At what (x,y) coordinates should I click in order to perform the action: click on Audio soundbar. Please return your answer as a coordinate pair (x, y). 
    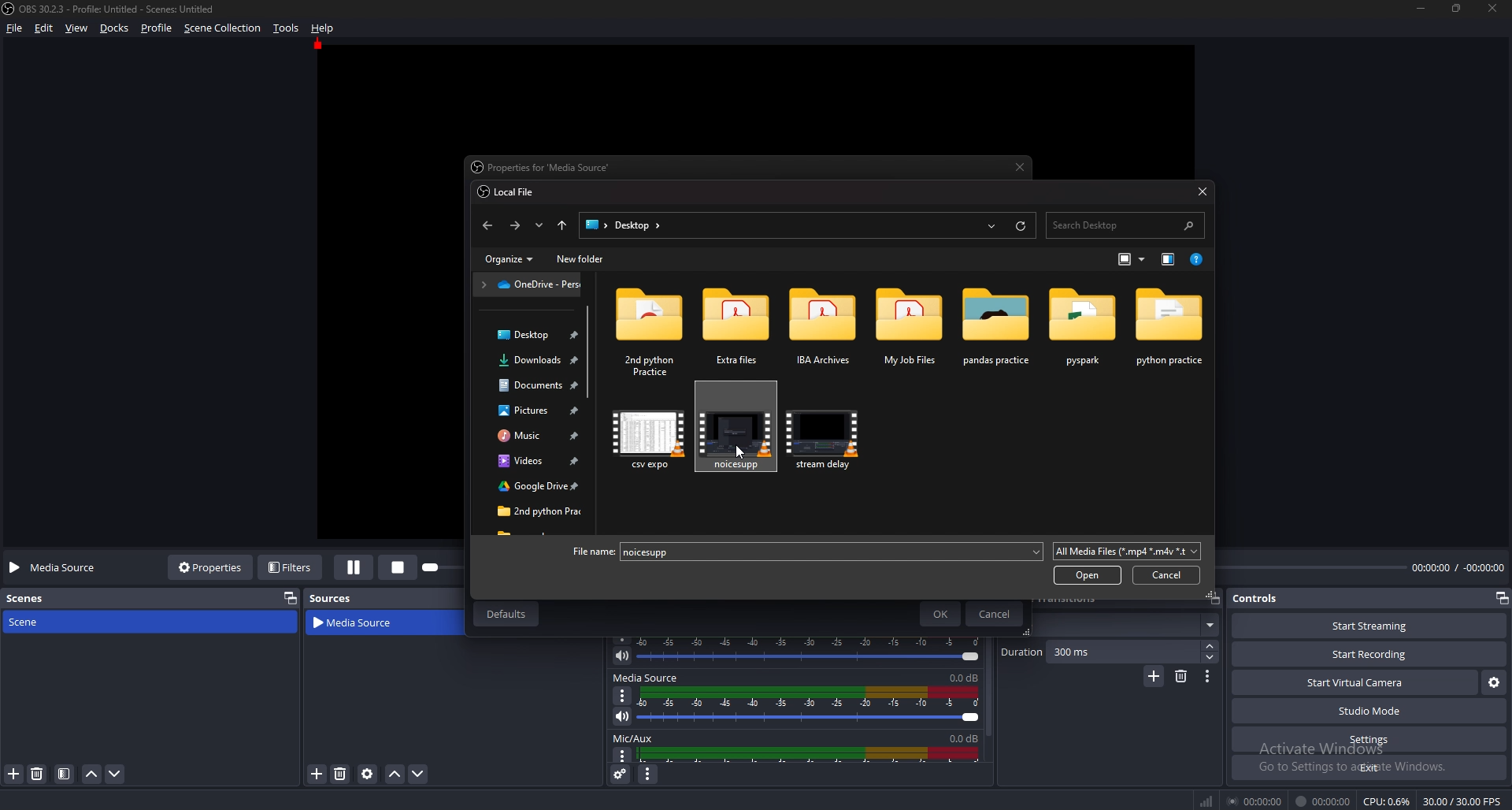
    Looking at the image, I should click on (813, 649).